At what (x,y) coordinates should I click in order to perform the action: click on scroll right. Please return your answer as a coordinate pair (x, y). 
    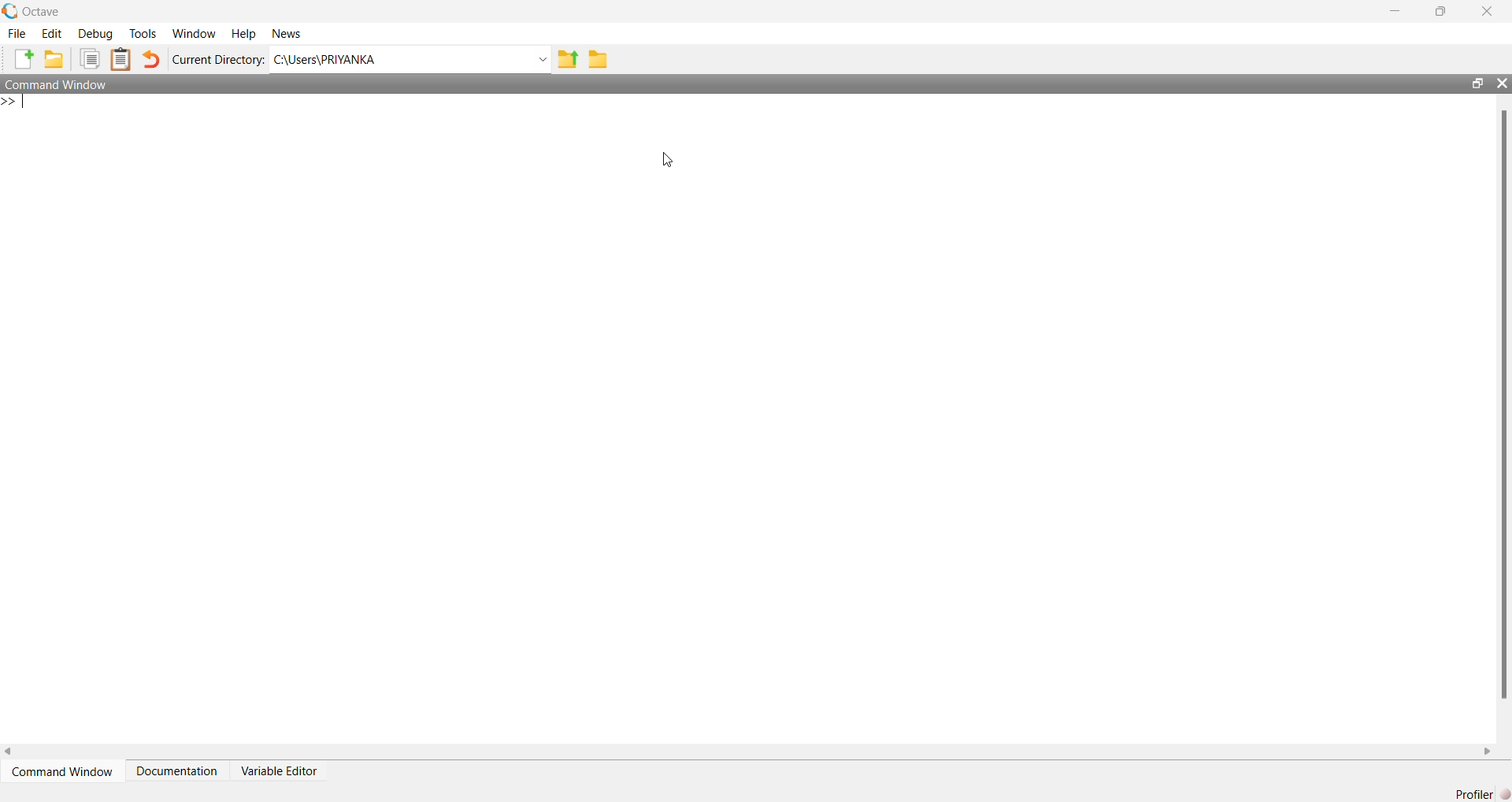
    Looking at the image, I should click on (1488, 752).